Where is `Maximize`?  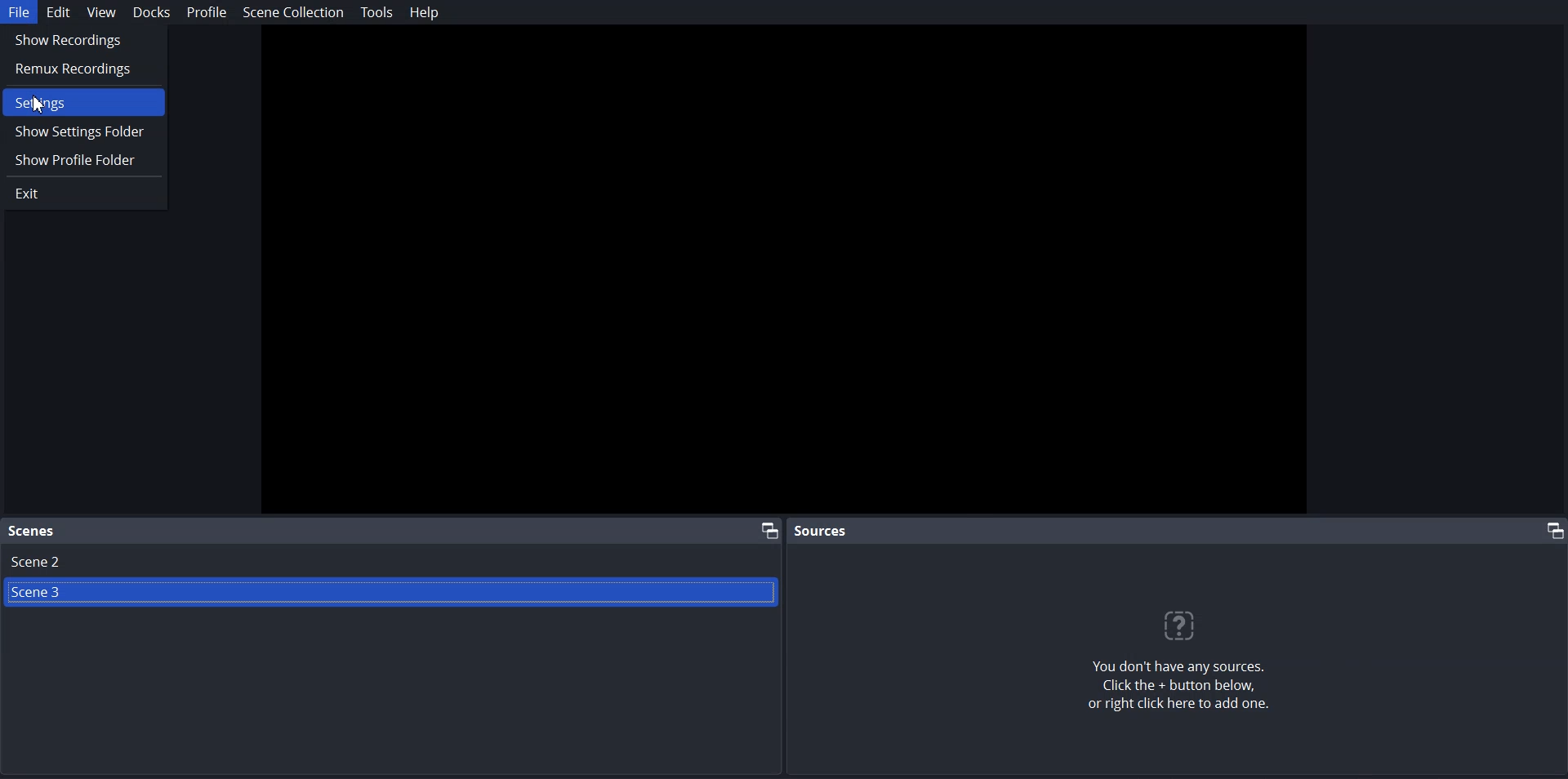 Maximize is located at coordinates (768, 529).